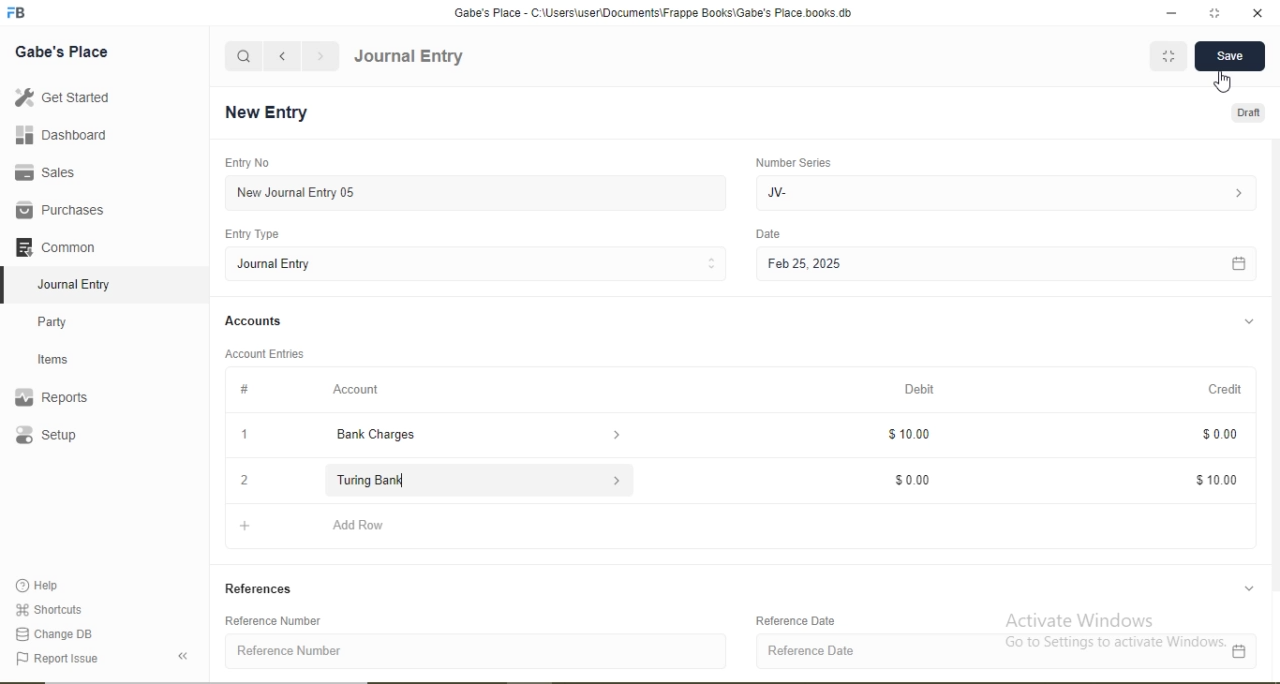  Describe the element at coordinates (281, 621) in the screenshot. I see `Reference Number` at that location.